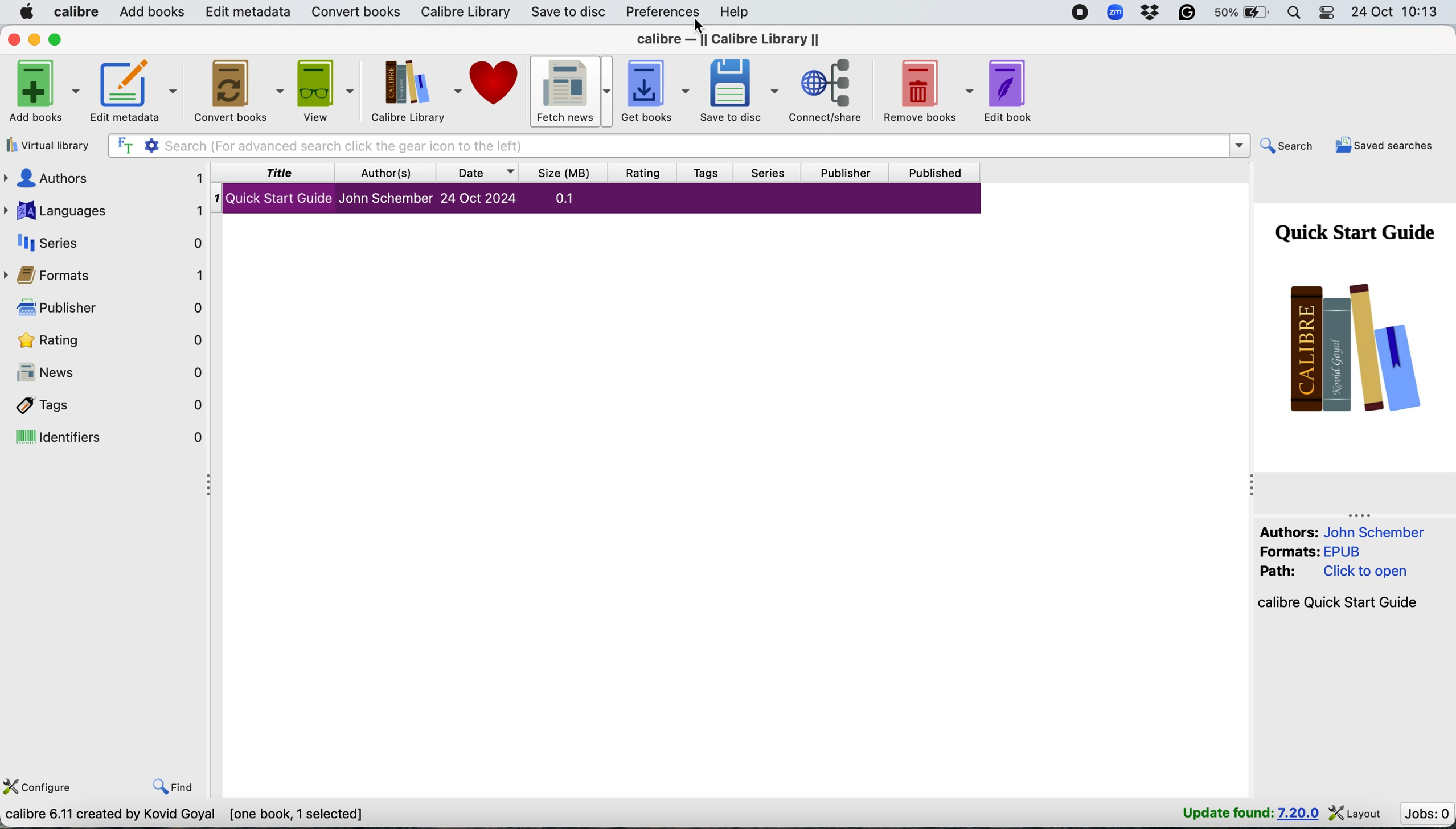  I want to click on update found : 7.20.0, so click(1245, 815).